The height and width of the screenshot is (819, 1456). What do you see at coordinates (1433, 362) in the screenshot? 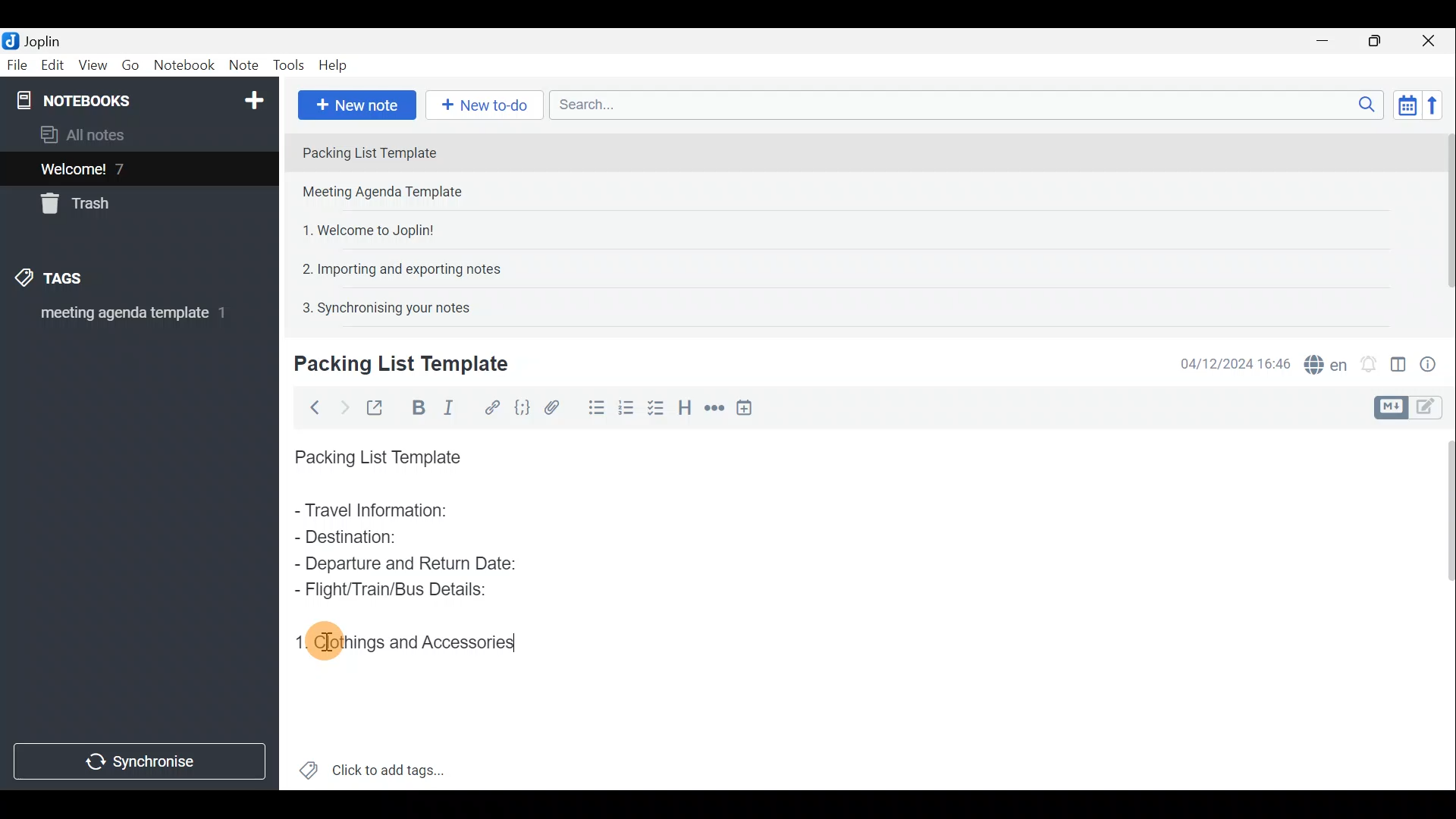
I see `Note properties` at bounding box center [1433, 362].